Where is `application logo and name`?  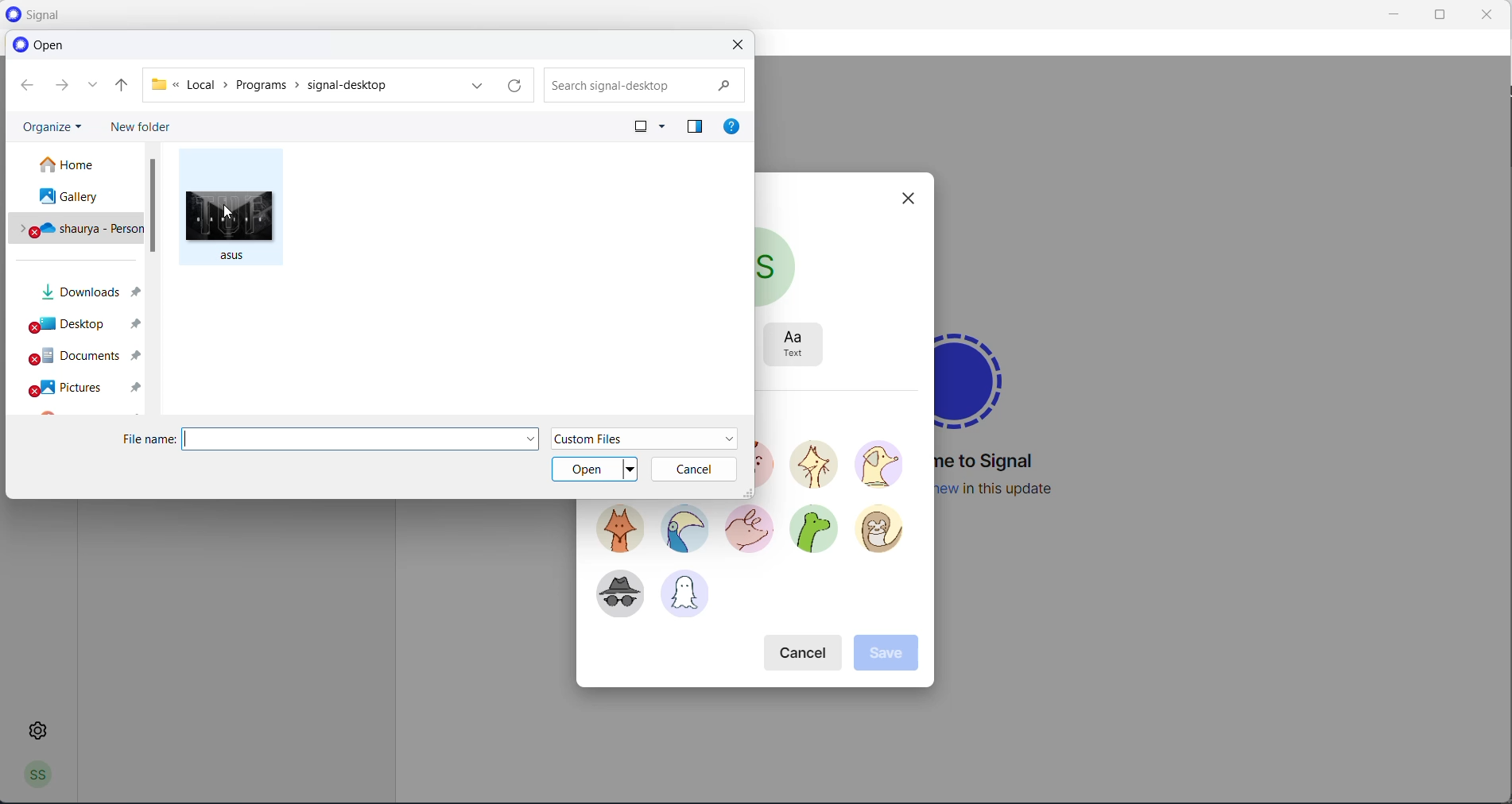
application logo and name is located at coordinates (78, 15).